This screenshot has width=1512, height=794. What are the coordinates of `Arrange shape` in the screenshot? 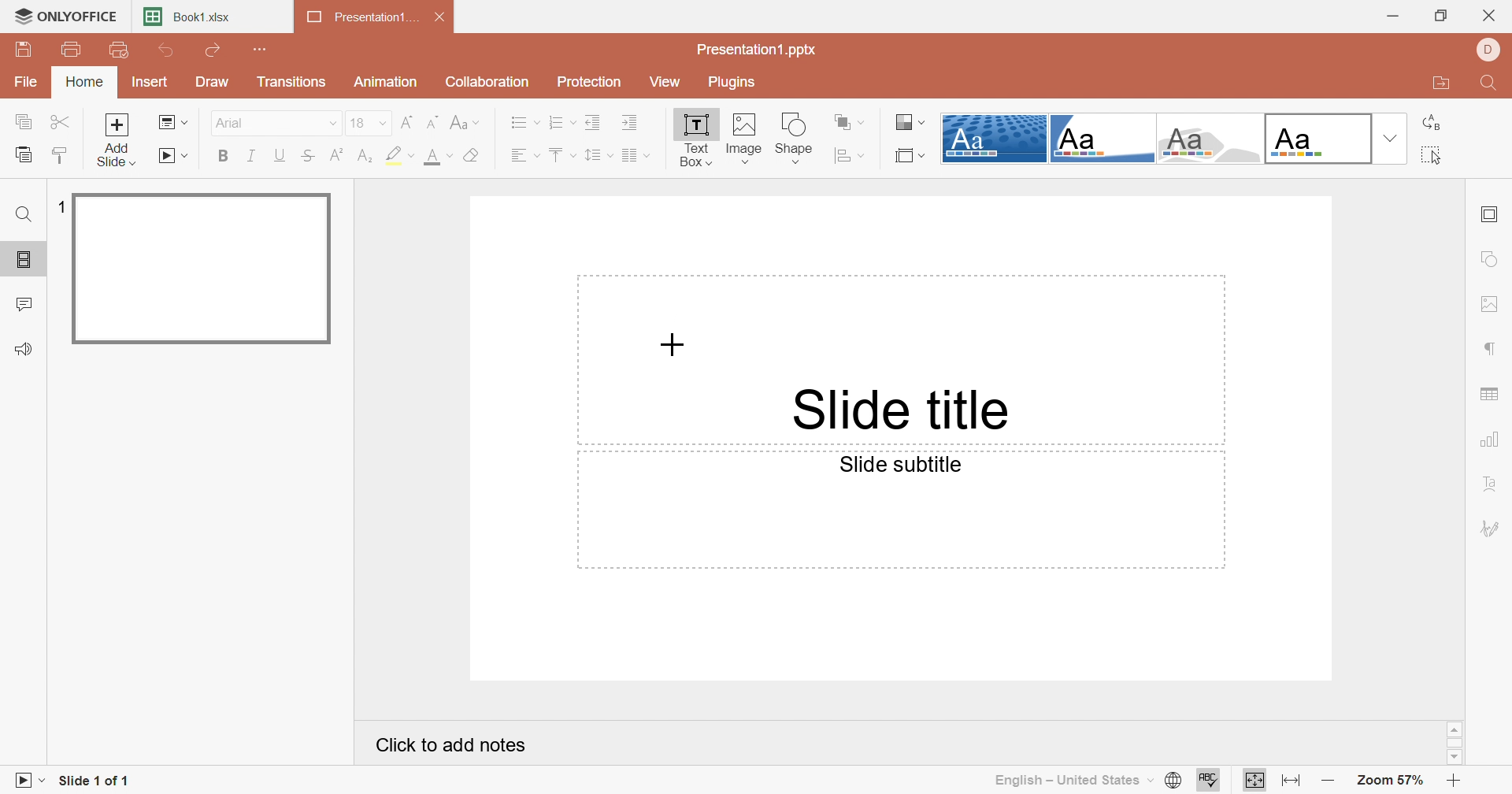 It's located at (847, 121).